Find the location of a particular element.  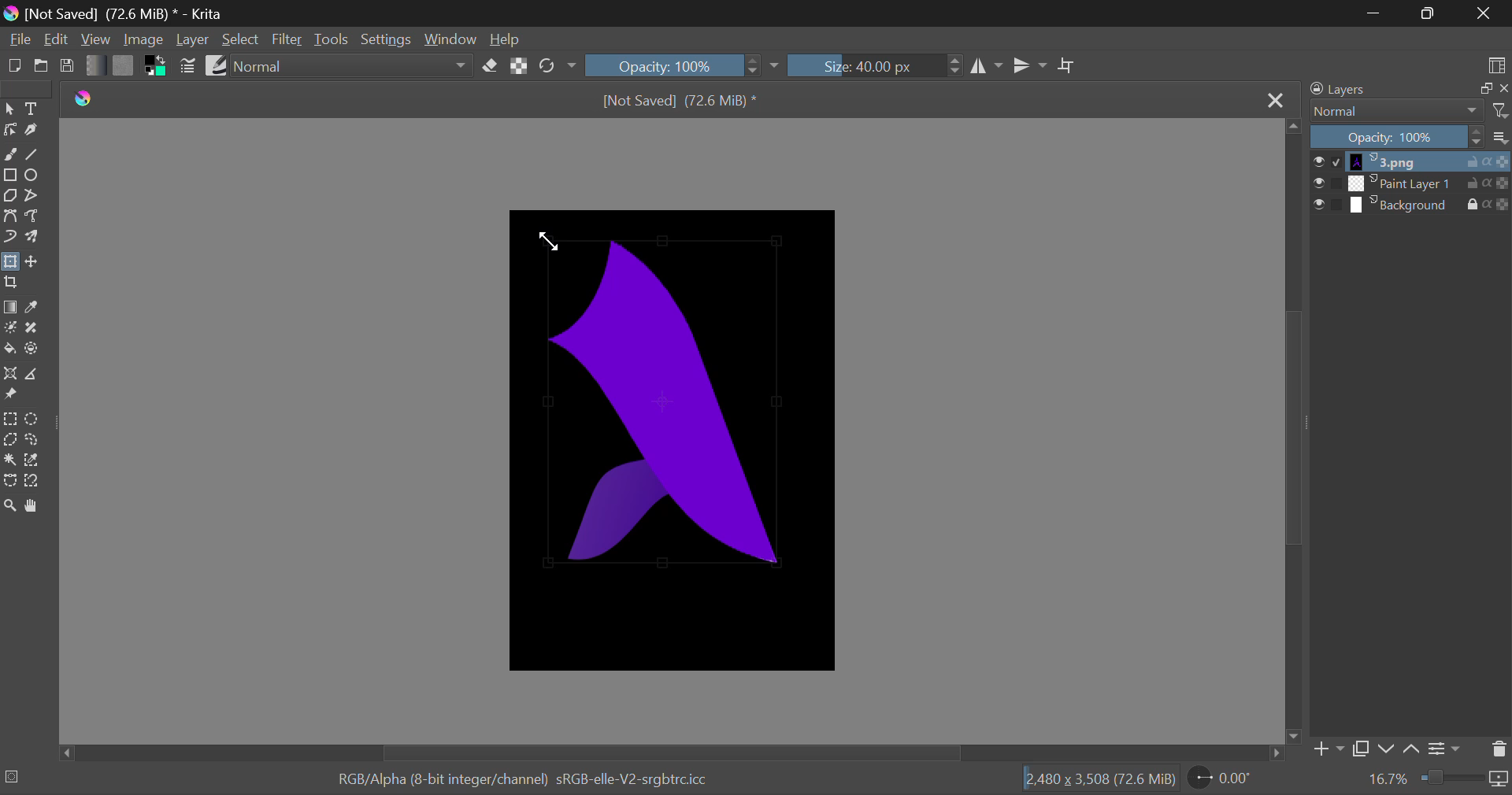

Dynamic Brush Tool is located at coordinates (11, 238).